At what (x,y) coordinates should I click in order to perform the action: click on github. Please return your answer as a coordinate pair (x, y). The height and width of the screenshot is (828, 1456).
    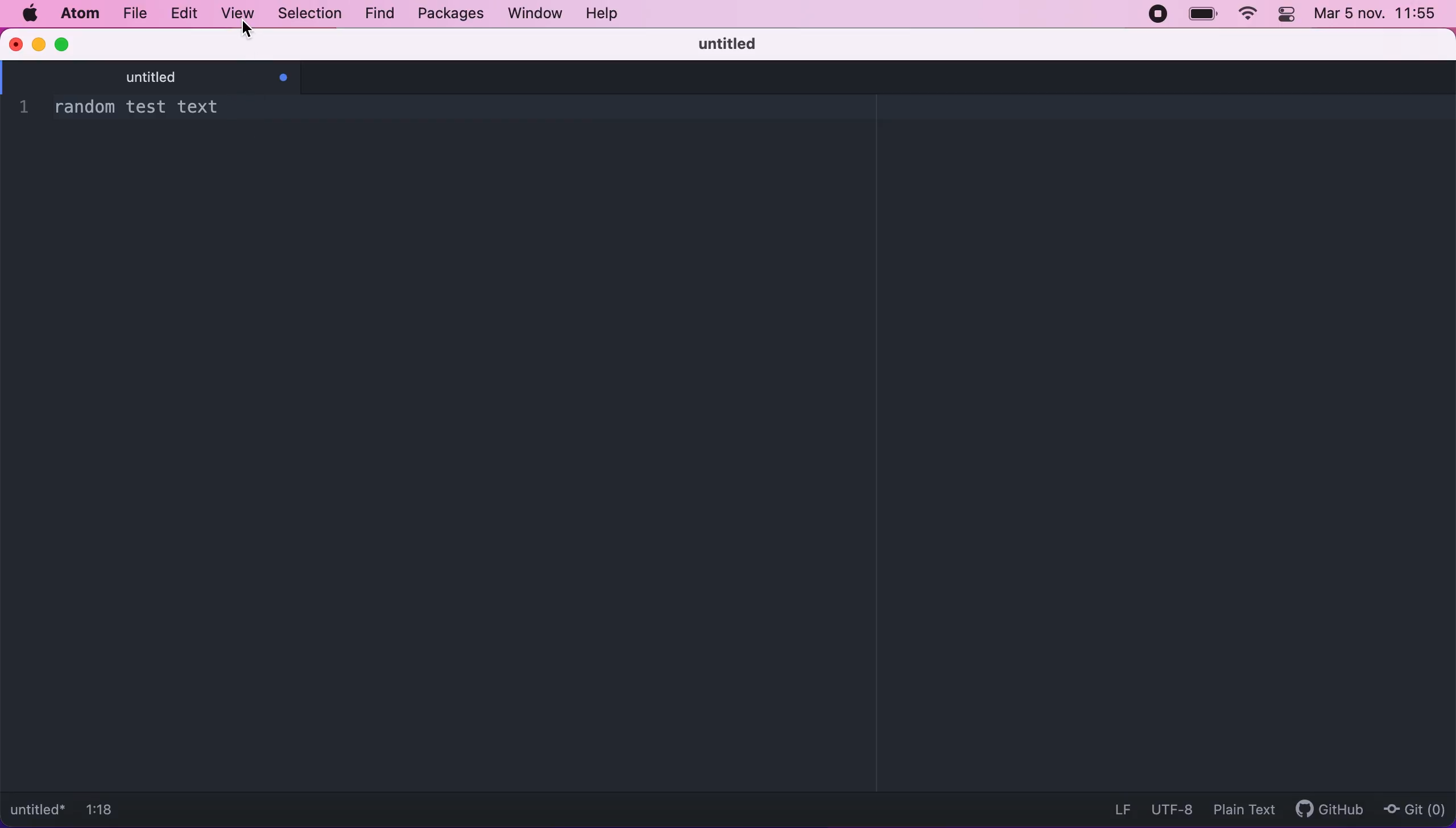
    Looking at the image, I should click on (1330, 808).